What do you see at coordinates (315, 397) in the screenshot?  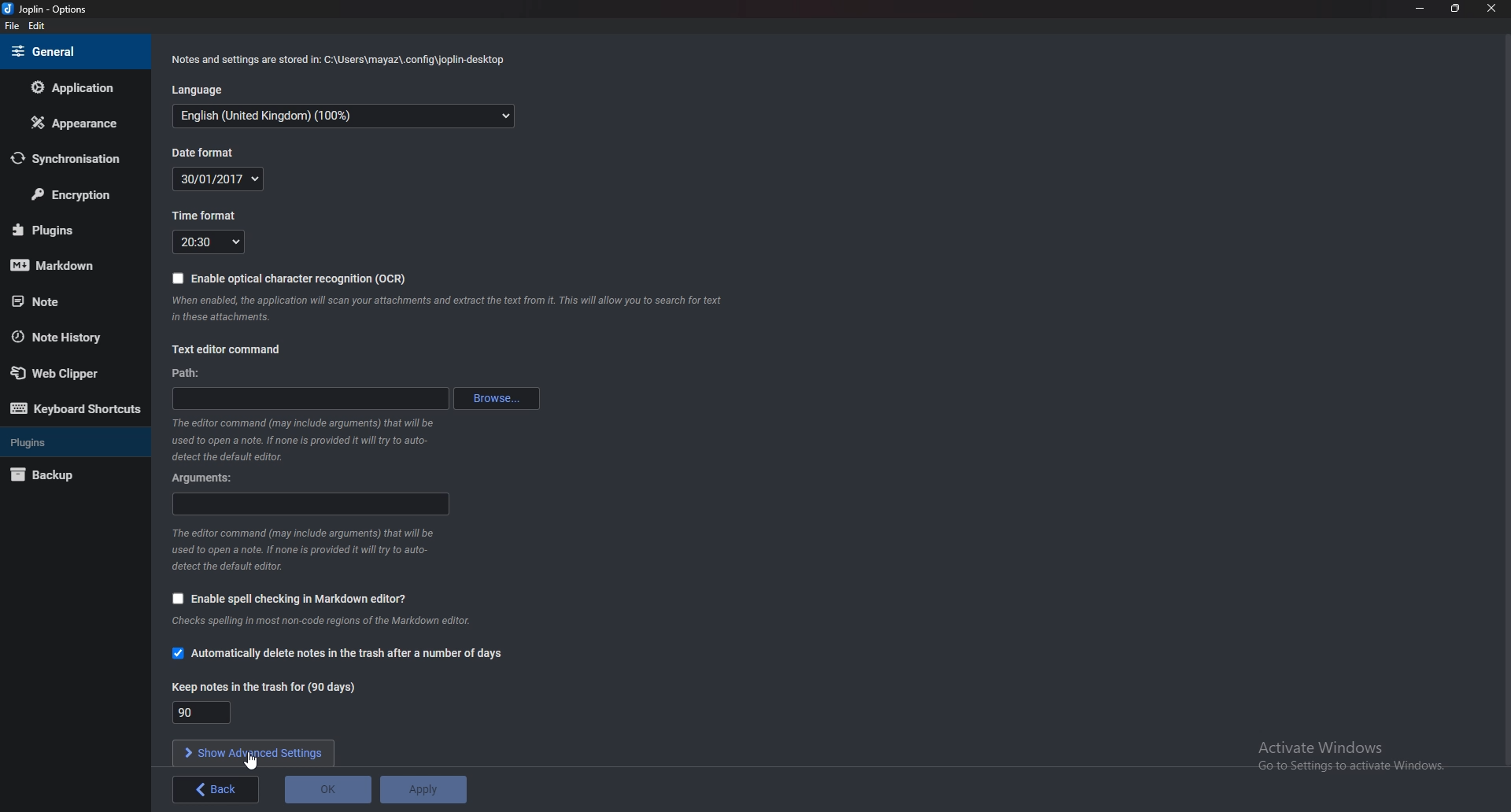 I see `path` at bounding box center [315, 397].